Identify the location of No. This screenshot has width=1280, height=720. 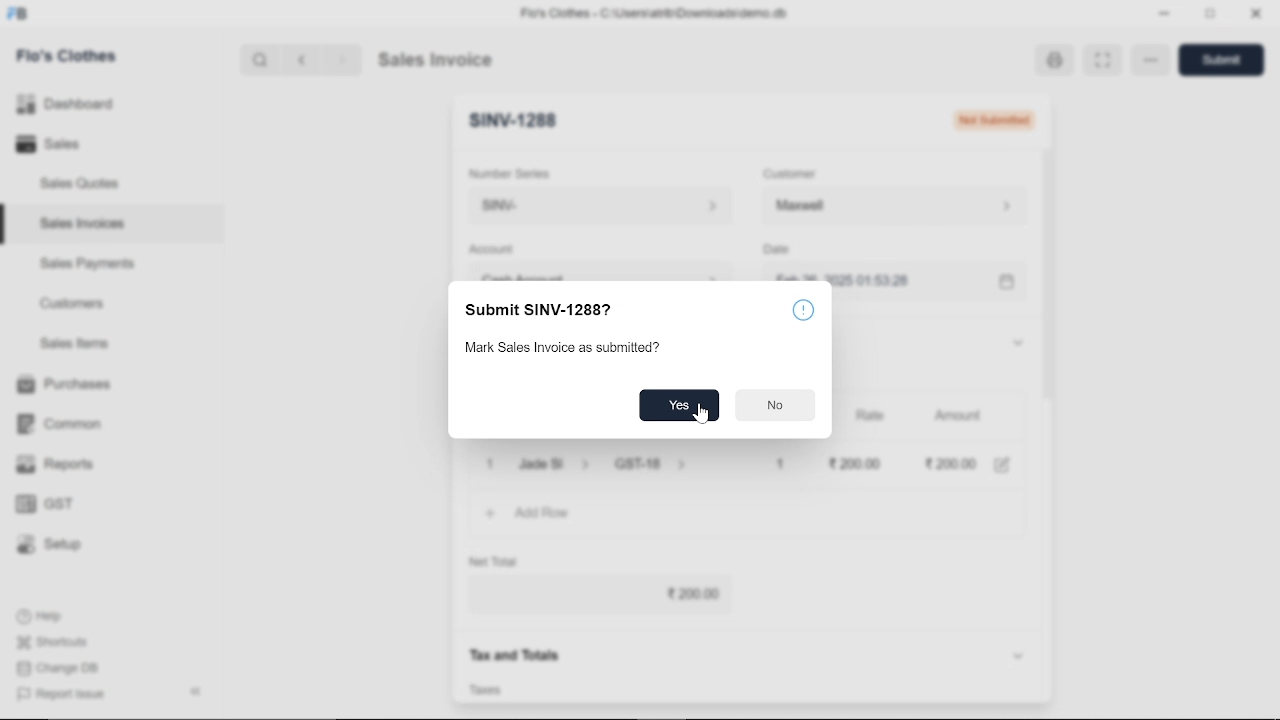
(774, 404).